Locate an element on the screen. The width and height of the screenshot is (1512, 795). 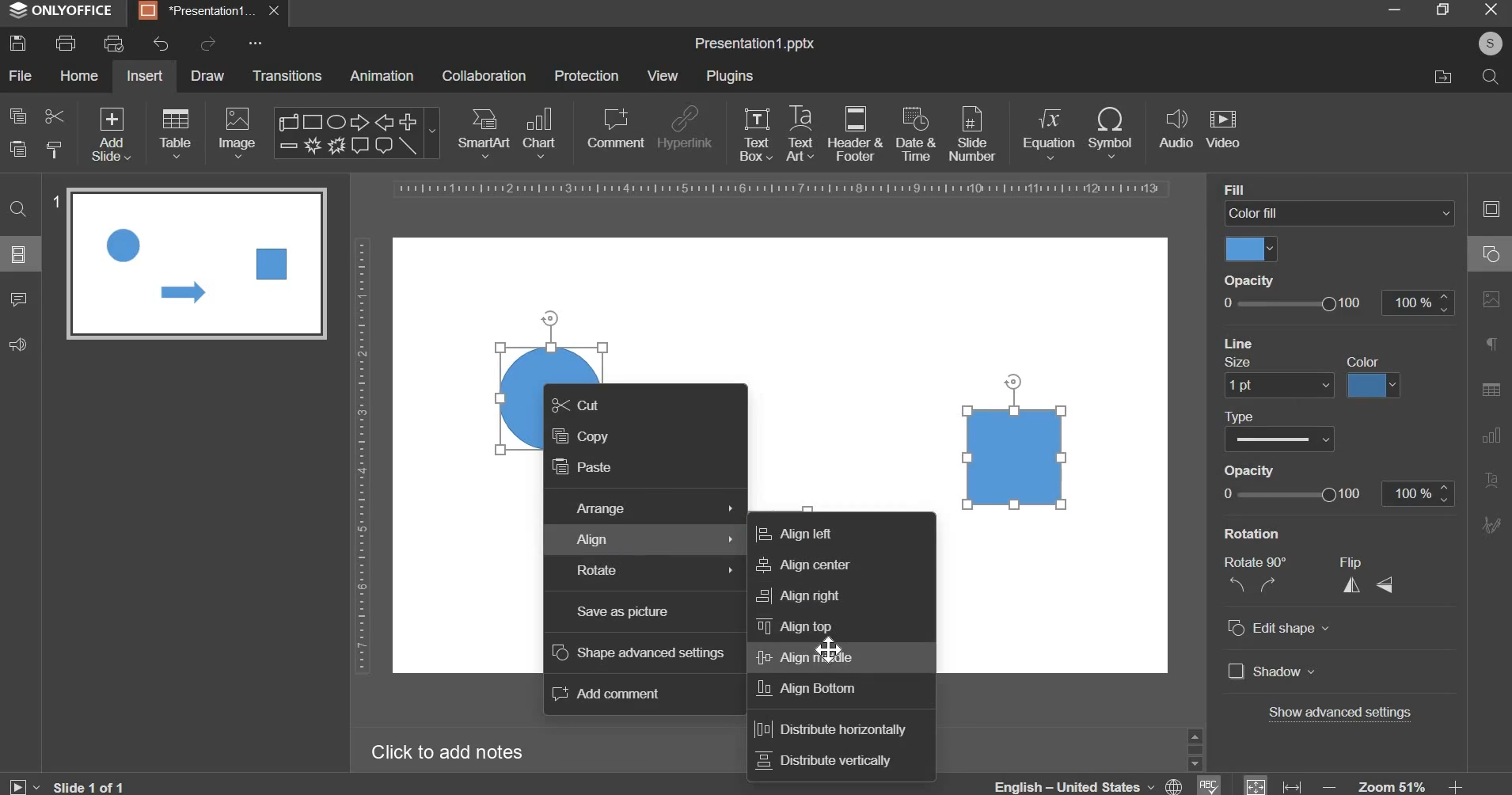
rectangle is located at coordinates (1016, 456).